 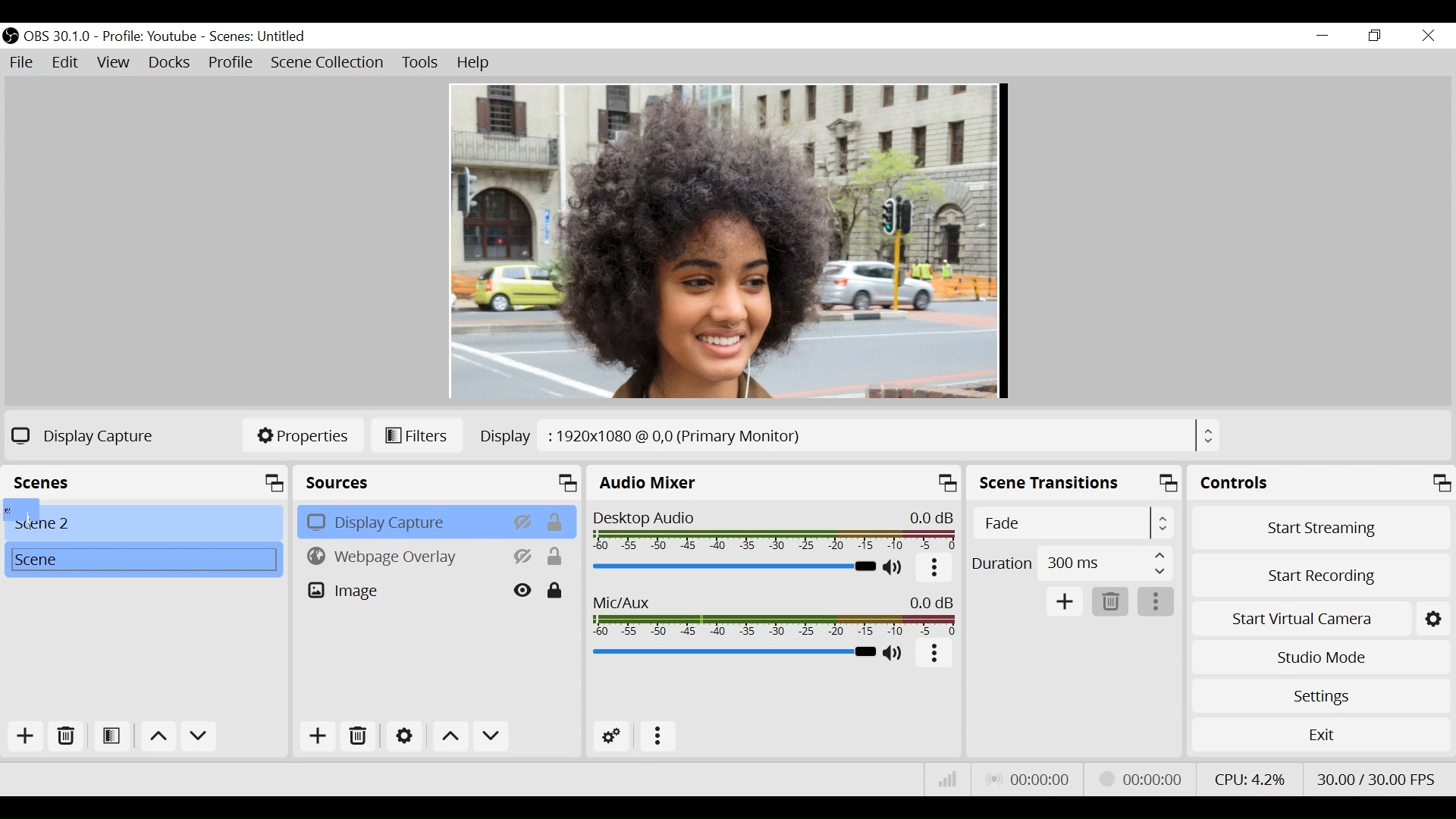 What do you see at coordinates (894, 653) in the screenshot?
I see `(un)mute` at bounding box center [894, 653].